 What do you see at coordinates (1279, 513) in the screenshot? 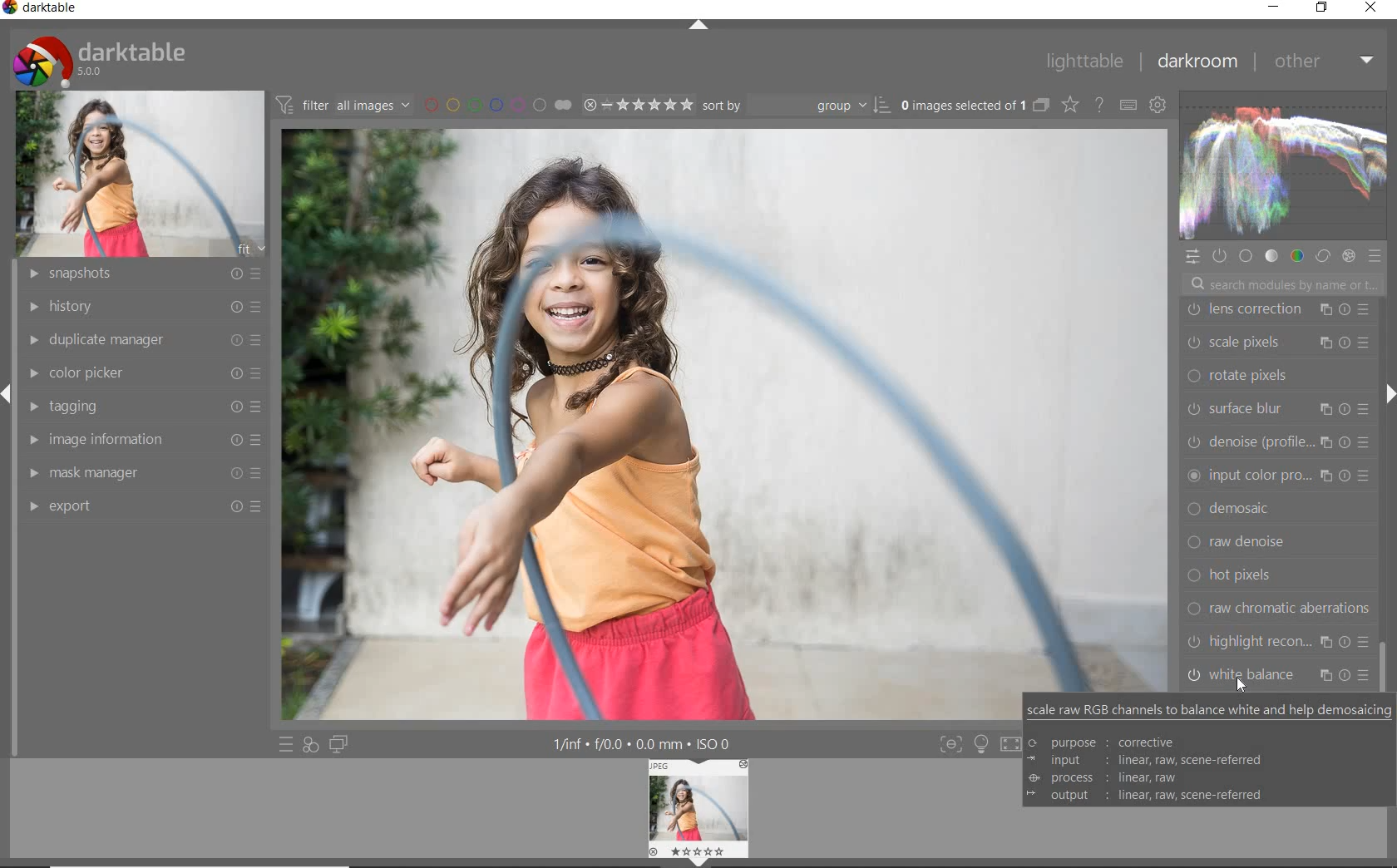
I see `split toning` at bounding box center [1279, 513].